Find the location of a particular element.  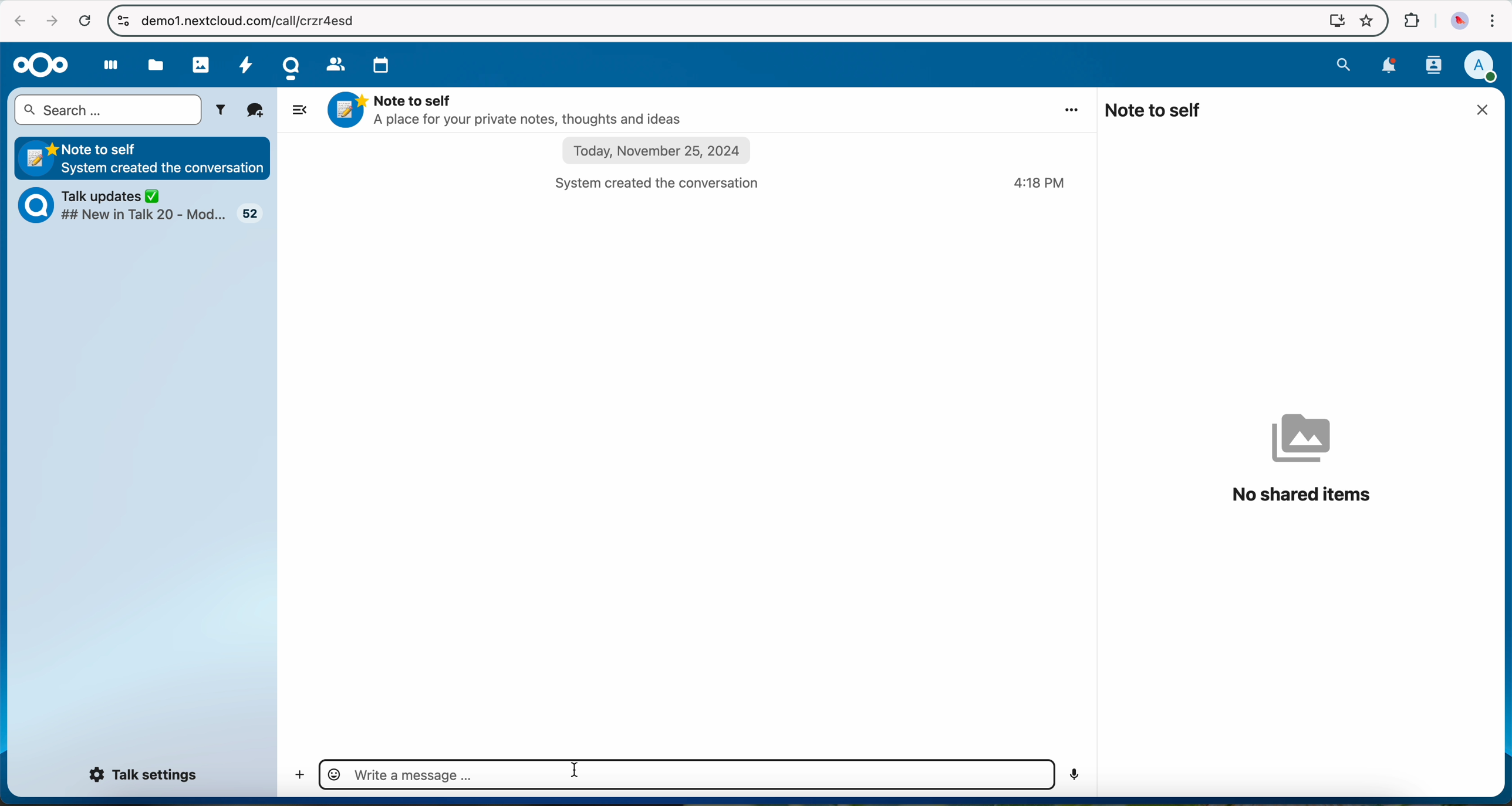

close window is located at coordinates (1486, 110).